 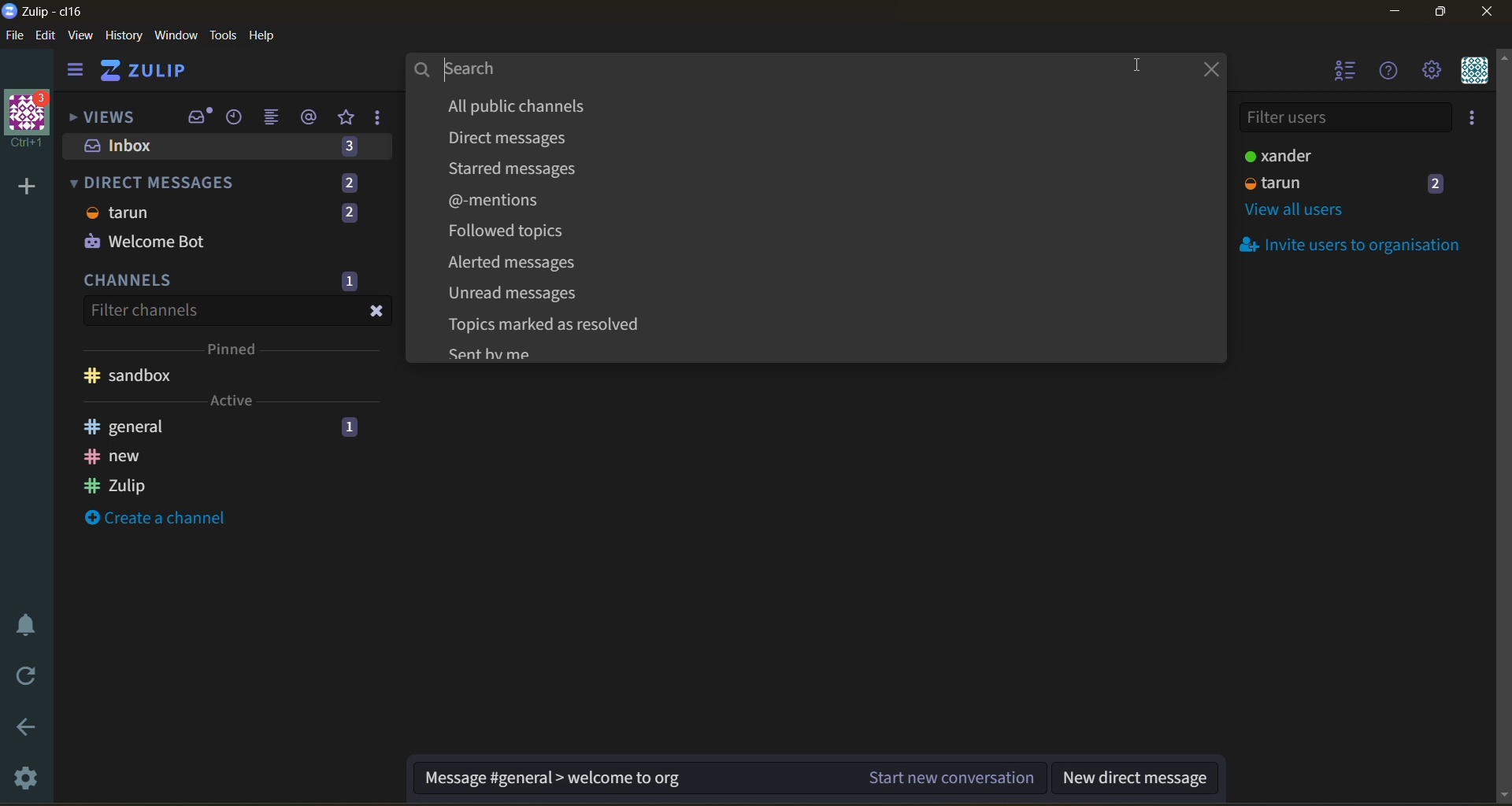 I want to click on tarun, so click(x=1274, y=183).